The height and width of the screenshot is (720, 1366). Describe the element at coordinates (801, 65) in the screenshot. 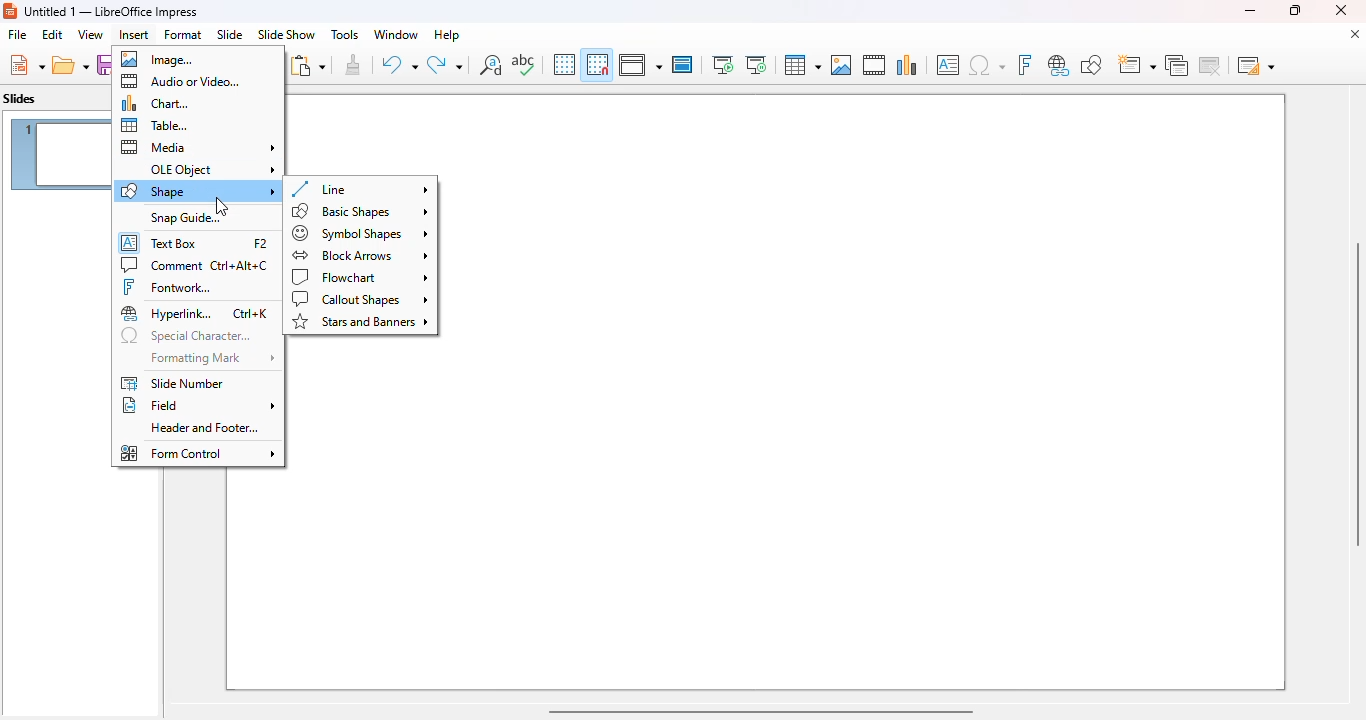

I see `table` at that location.